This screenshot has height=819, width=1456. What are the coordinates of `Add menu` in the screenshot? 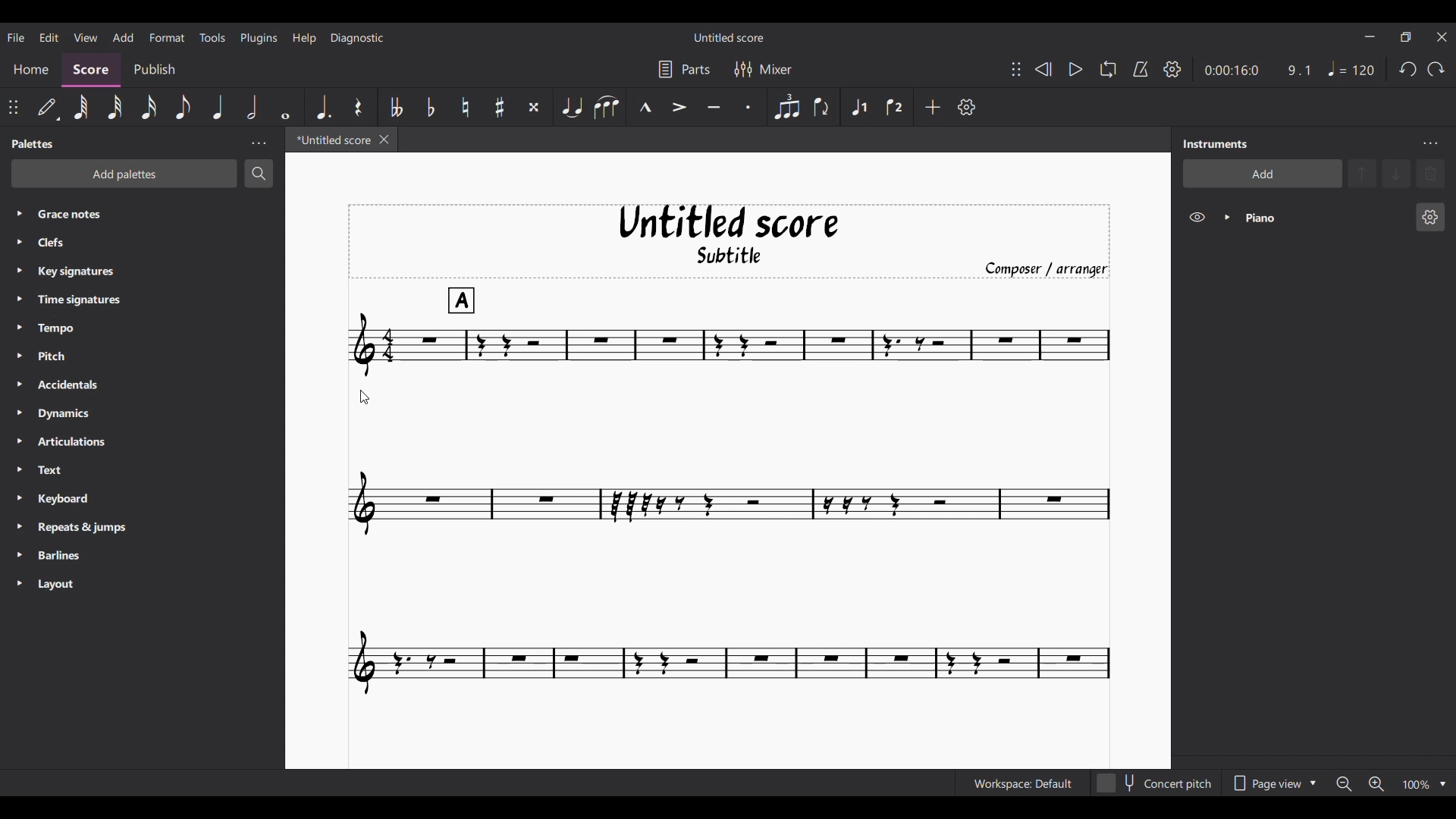 It's located at (123, 37).